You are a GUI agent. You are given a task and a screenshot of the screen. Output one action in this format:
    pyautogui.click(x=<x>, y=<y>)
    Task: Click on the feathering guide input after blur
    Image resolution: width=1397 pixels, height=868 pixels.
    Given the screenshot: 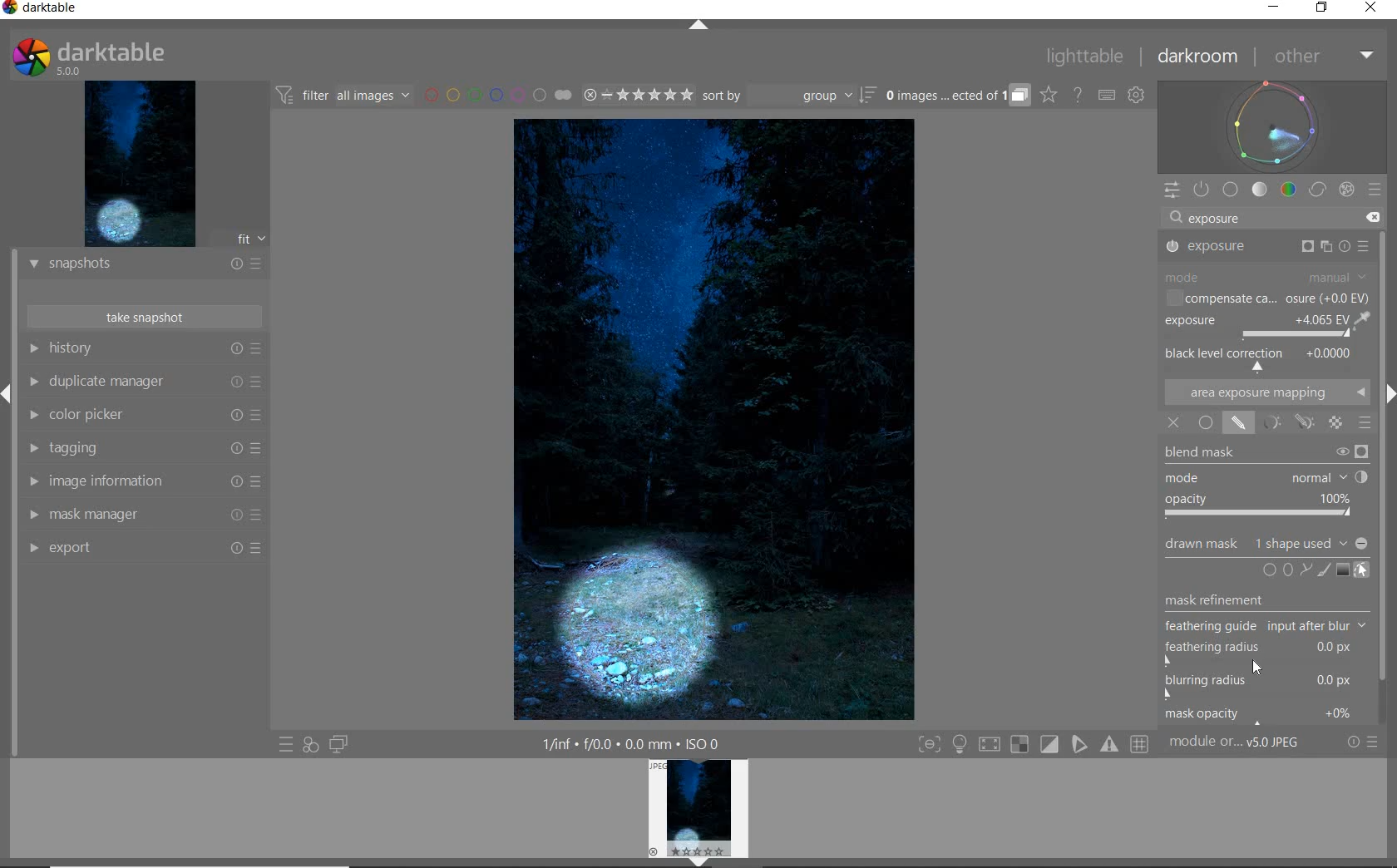 What is the action you would take?
    pyautogui.click(x=1266, y=626)
    